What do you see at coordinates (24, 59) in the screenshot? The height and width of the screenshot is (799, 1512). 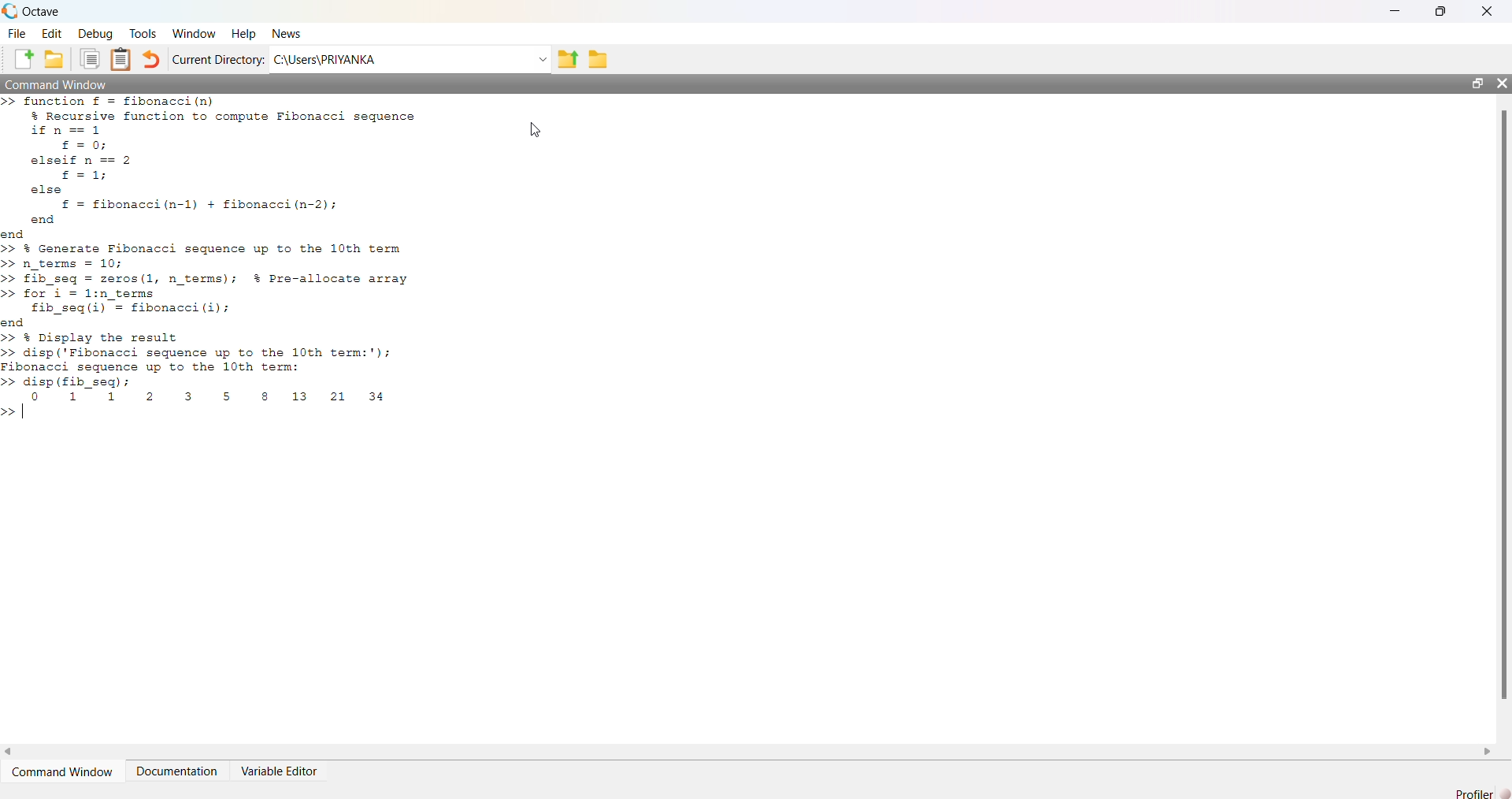 I see `add` at bounding box center [24, 59].